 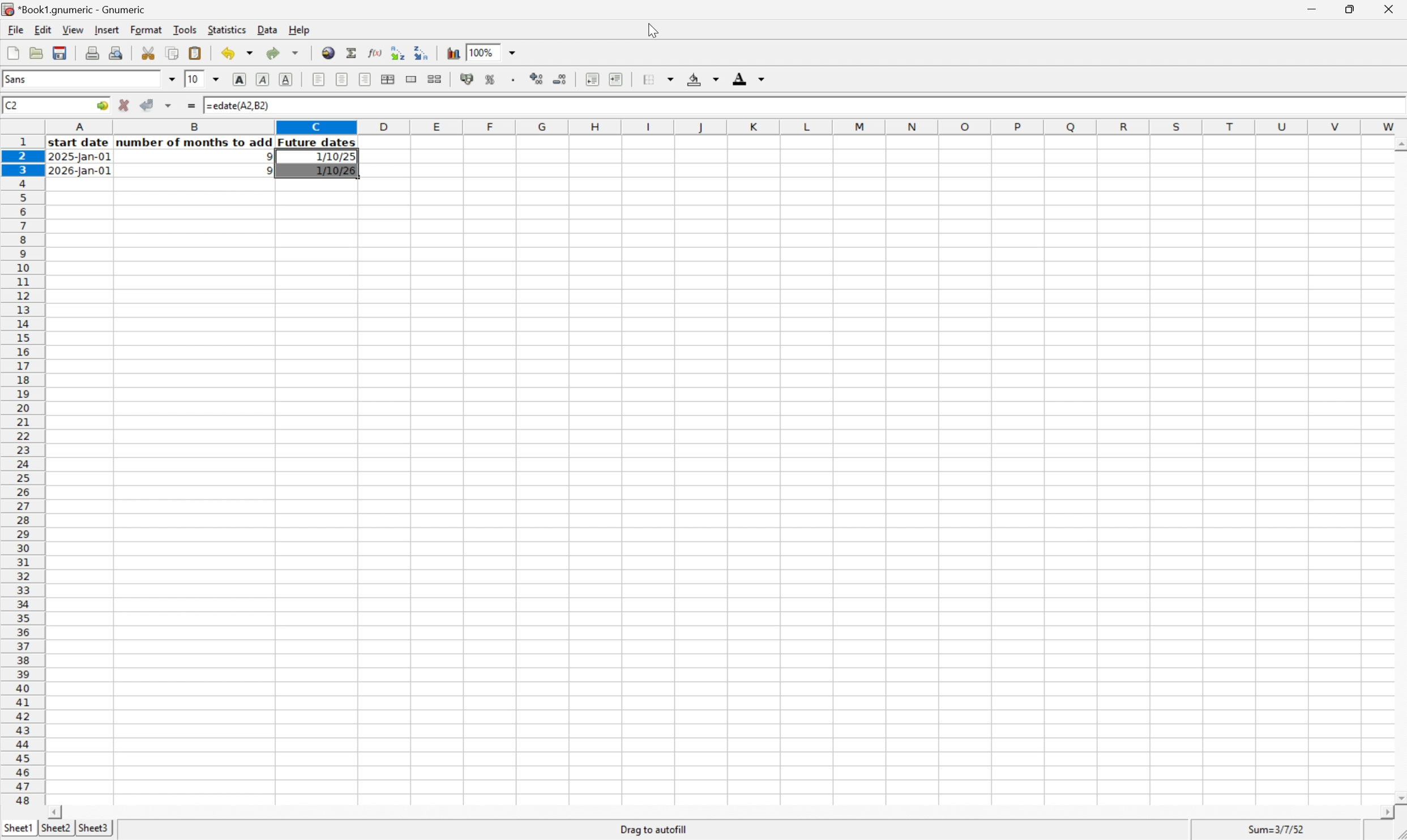 What do you see at coordinates (81, 158) in the screenshot?
I see `2025-jan-01` at bounding box center [81, 158].